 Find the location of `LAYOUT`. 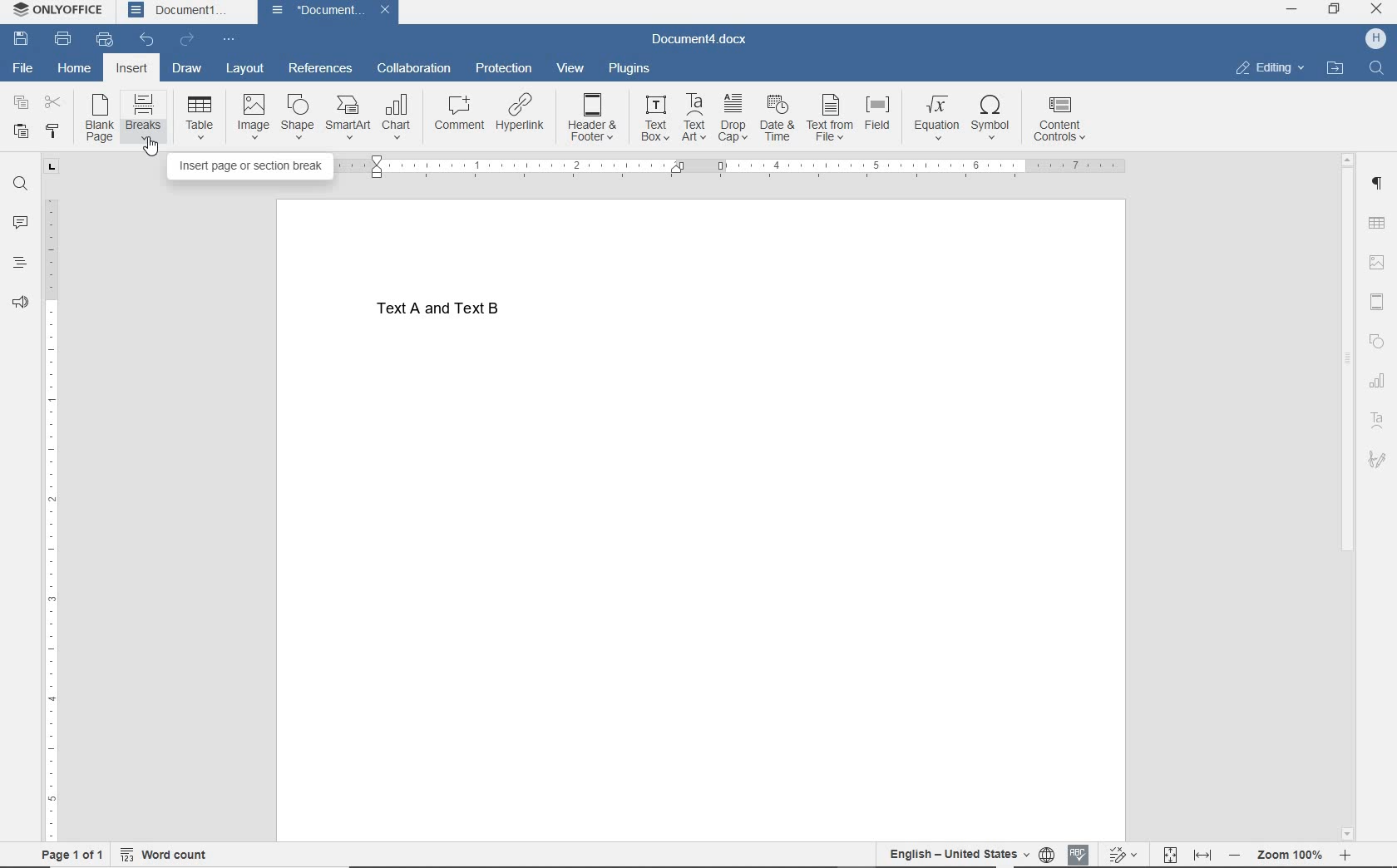

LAYOUT is located at coordinates (246, 69).